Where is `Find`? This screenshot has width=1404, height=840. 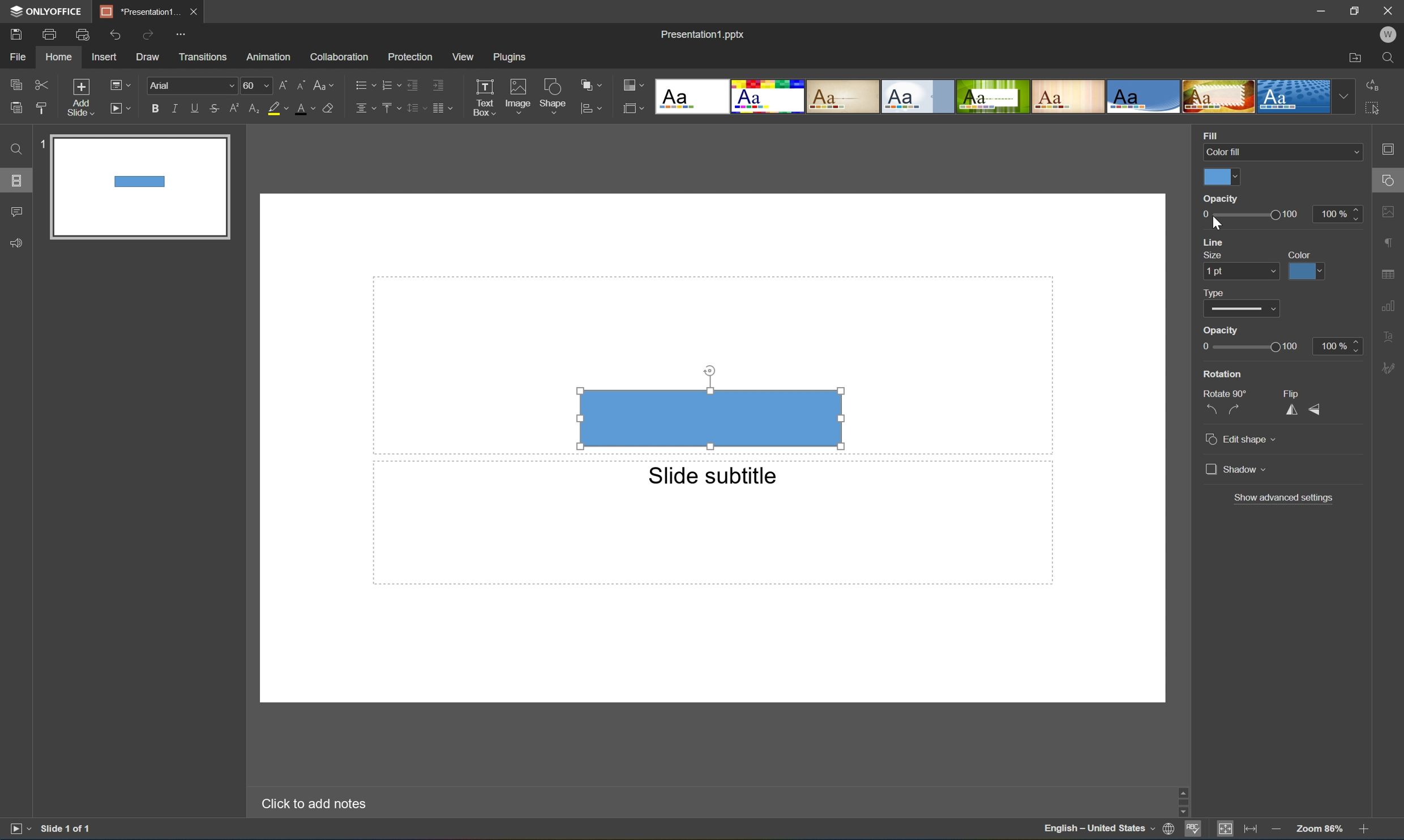
Find is located at coordinates (14, 149).